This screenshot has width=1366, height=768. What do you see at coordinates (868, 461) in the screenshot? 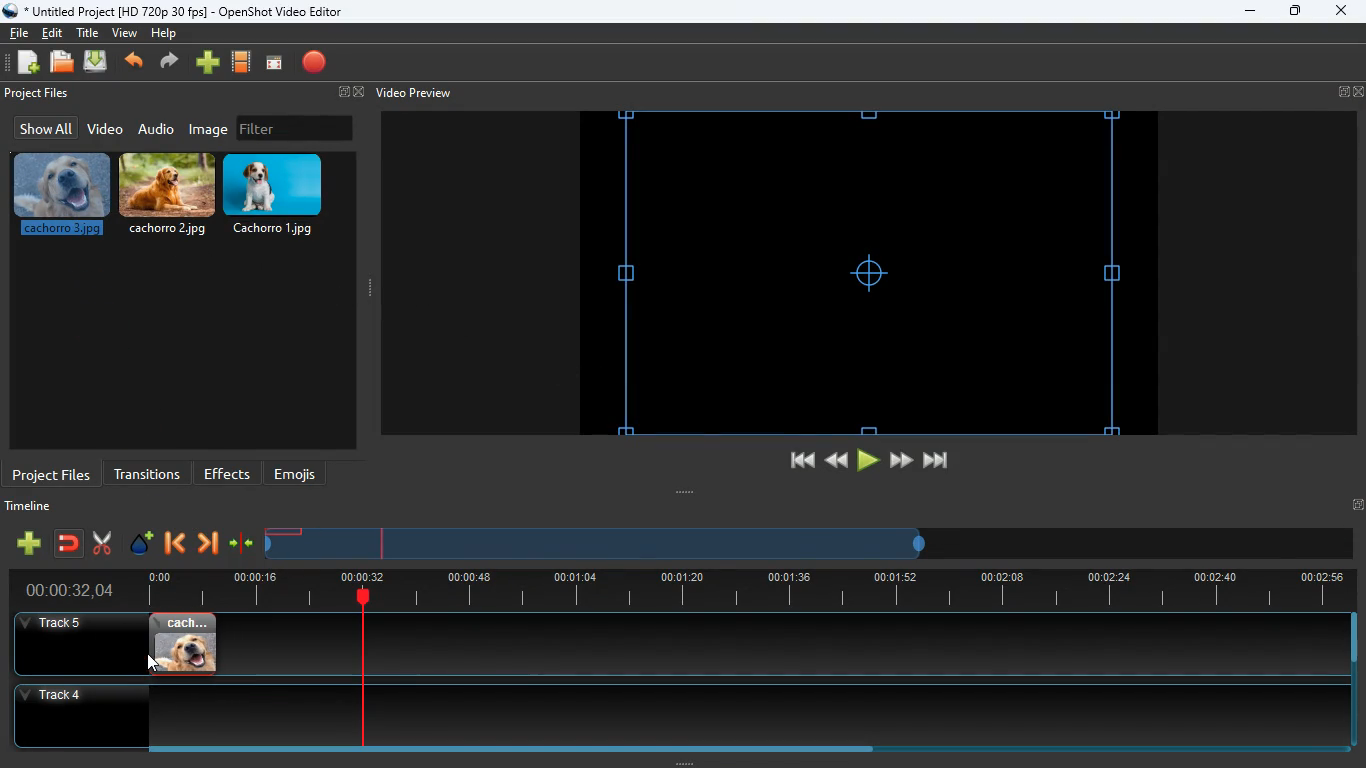
I see `play` at bounding box center [868, 461].